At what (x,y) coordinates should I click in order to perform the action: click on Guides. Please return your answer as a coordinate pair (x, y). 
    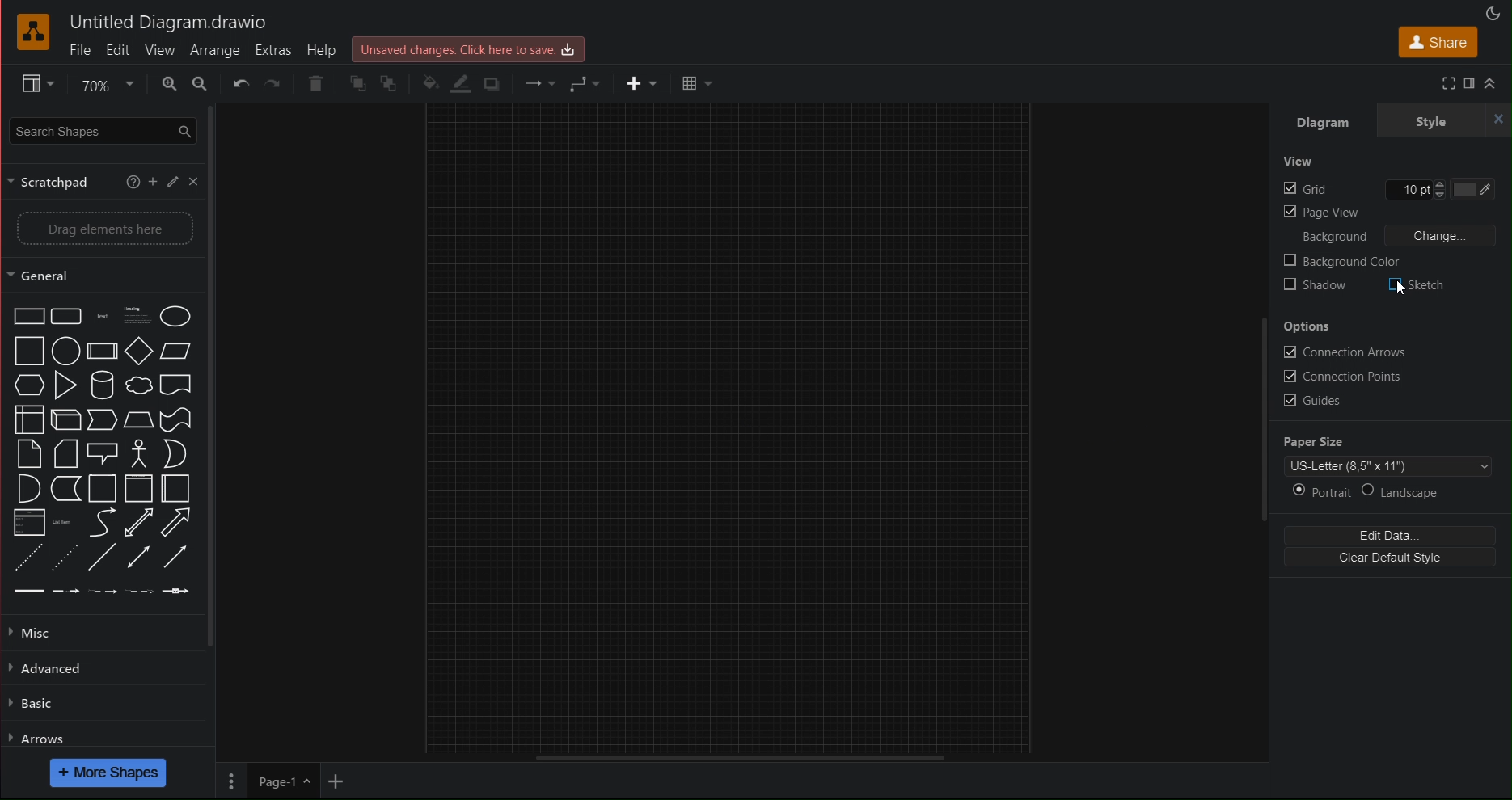
    Looking at the image, I should click on (1334, 402).